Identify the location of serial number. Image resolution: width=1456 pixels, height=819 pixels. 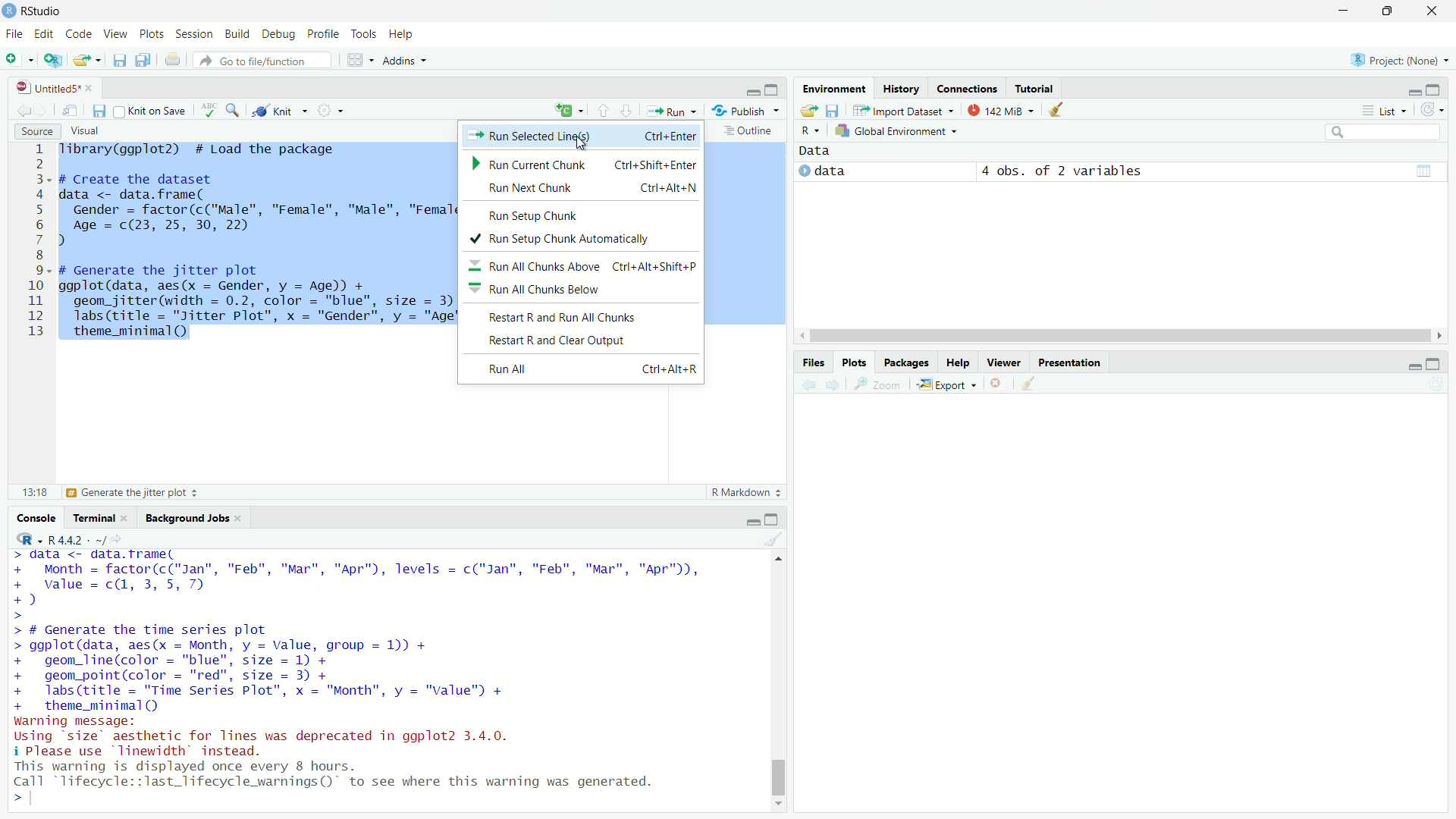
(34, 243).